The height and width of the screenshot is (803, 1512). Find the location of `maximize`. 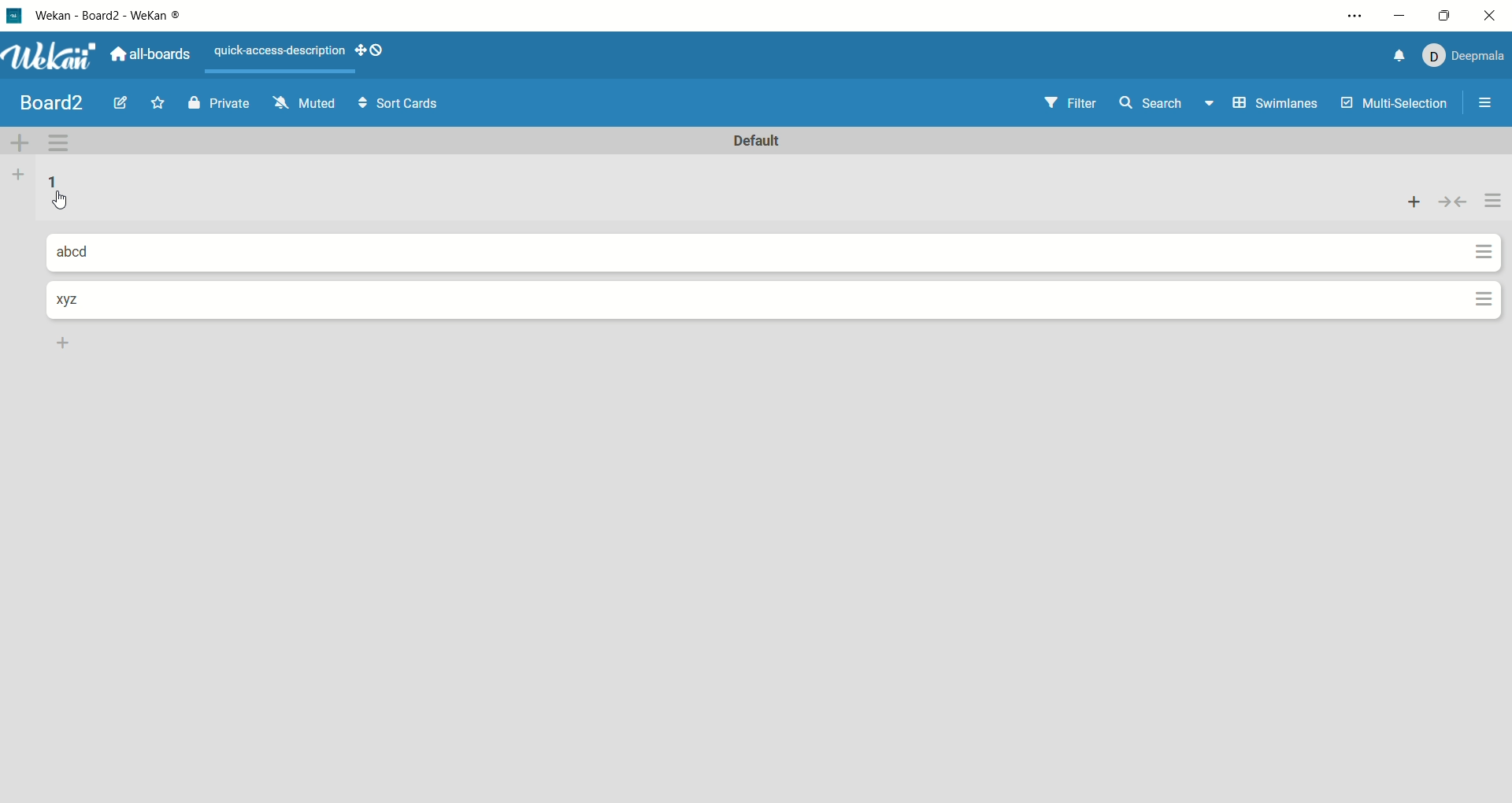

maximize is located at coordinates (1440, 16).